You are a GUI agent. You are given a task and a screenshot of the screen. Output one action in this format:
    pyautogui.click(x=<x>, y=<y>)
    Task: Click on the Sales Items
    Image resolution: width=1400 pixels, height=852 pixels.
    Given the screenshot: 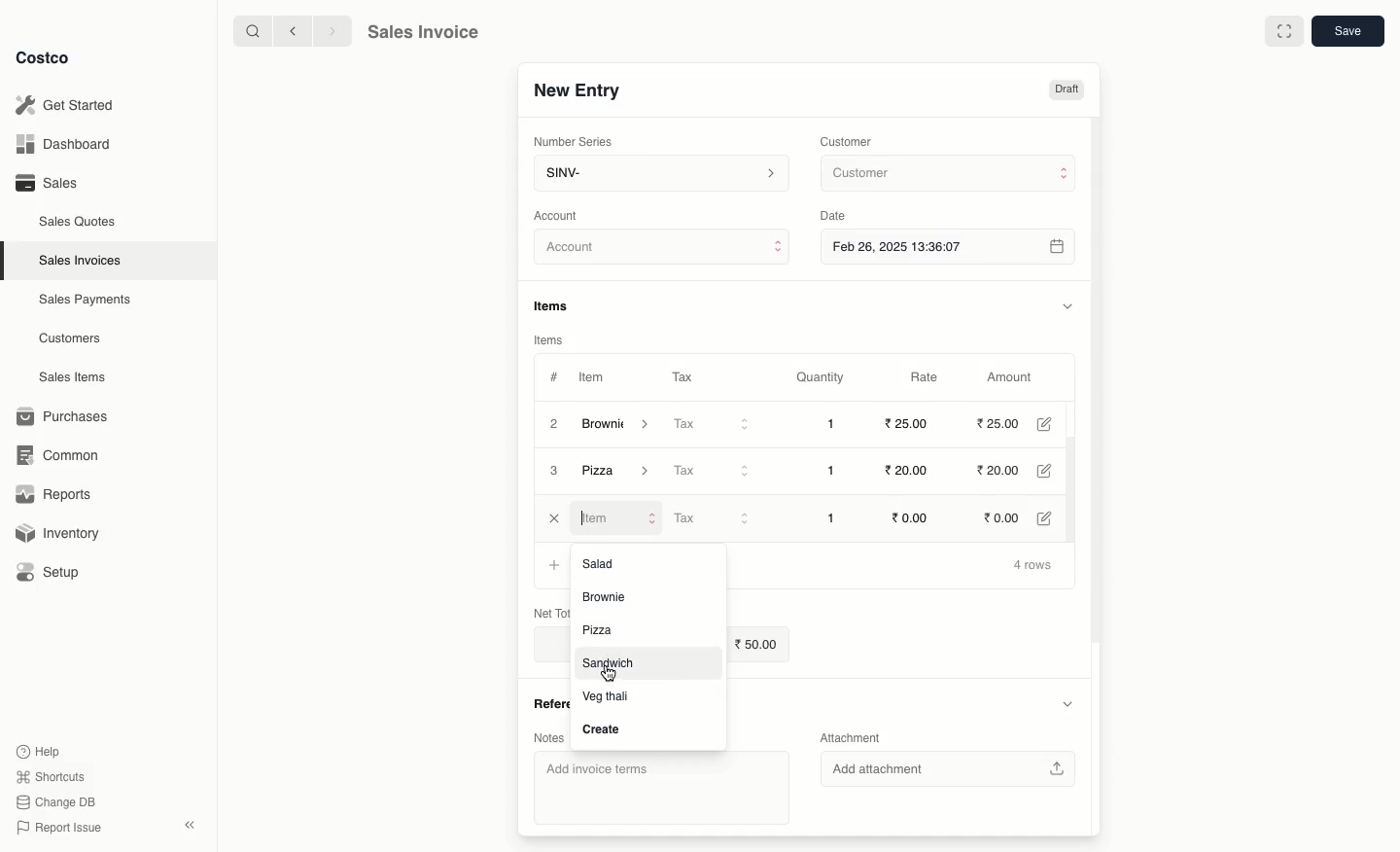 What is the action you would take?
    pyautogui.click(x=77, y=377)
    